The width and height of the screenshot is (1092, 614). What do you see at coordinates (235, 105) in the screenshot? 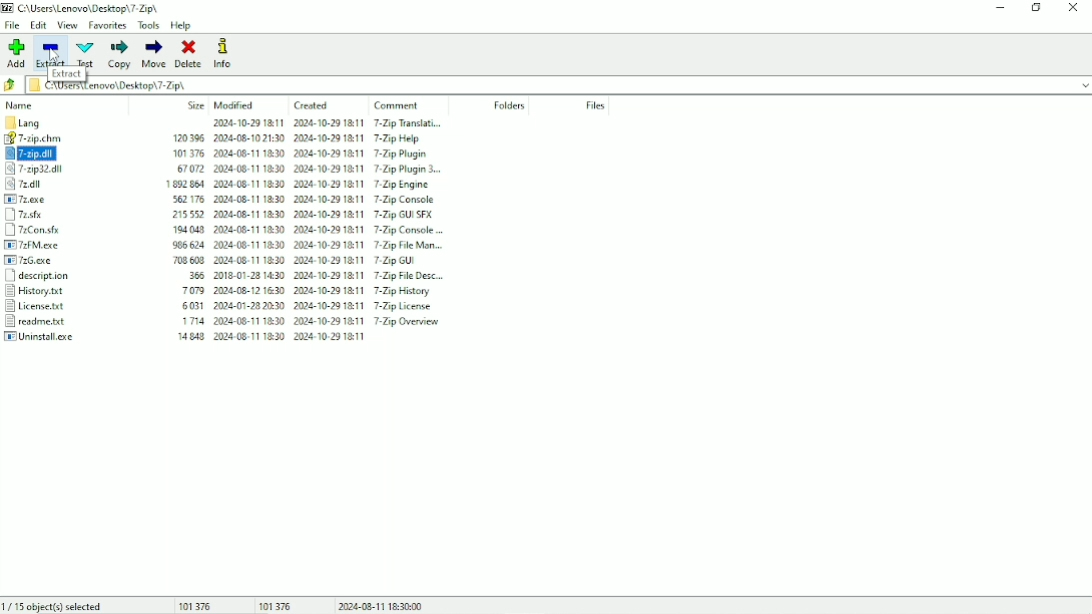
I see `Modified` at bounding box center [235, 105].